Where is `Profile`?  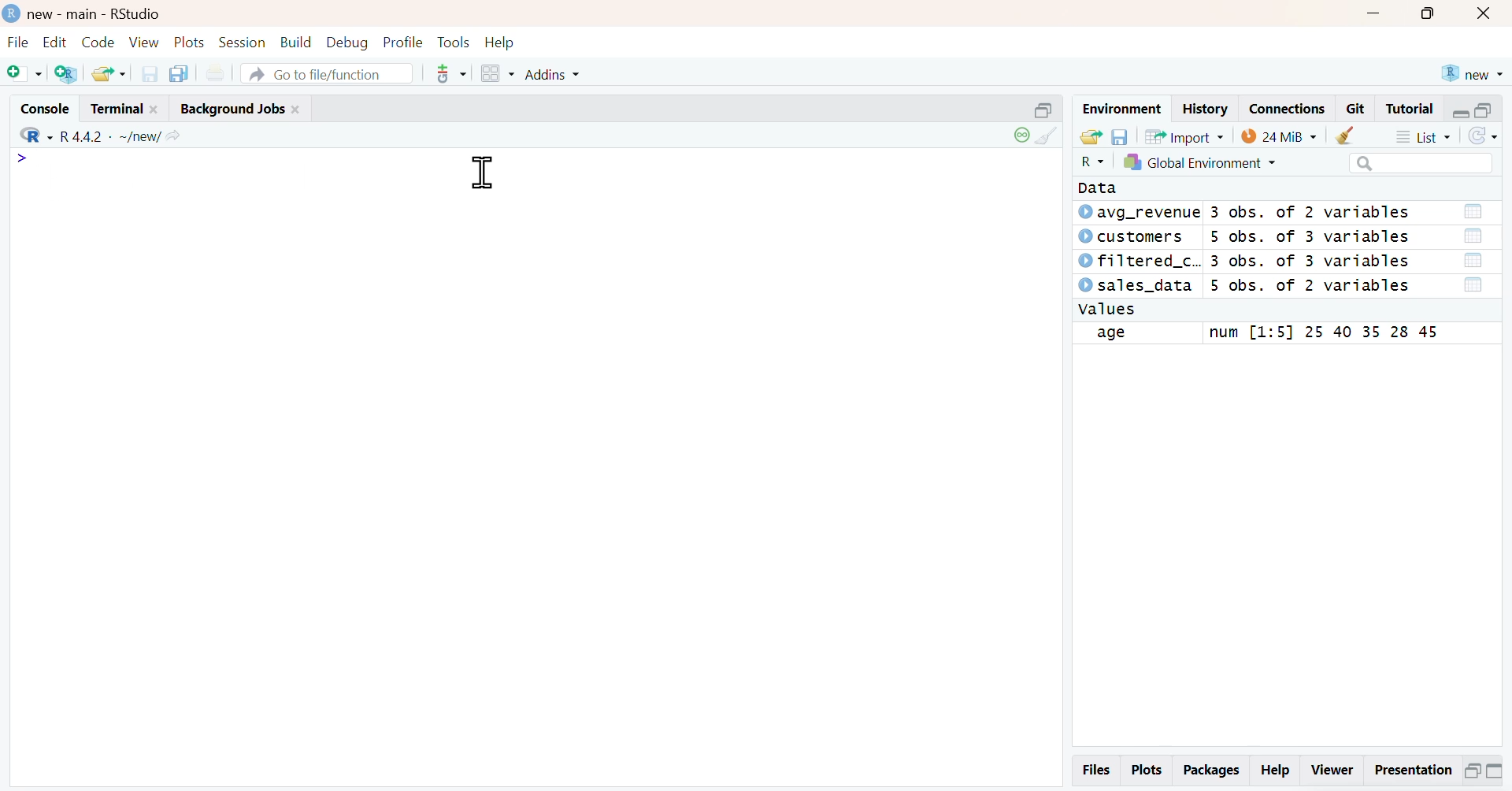 Profile is located at coordinates (403, 42).